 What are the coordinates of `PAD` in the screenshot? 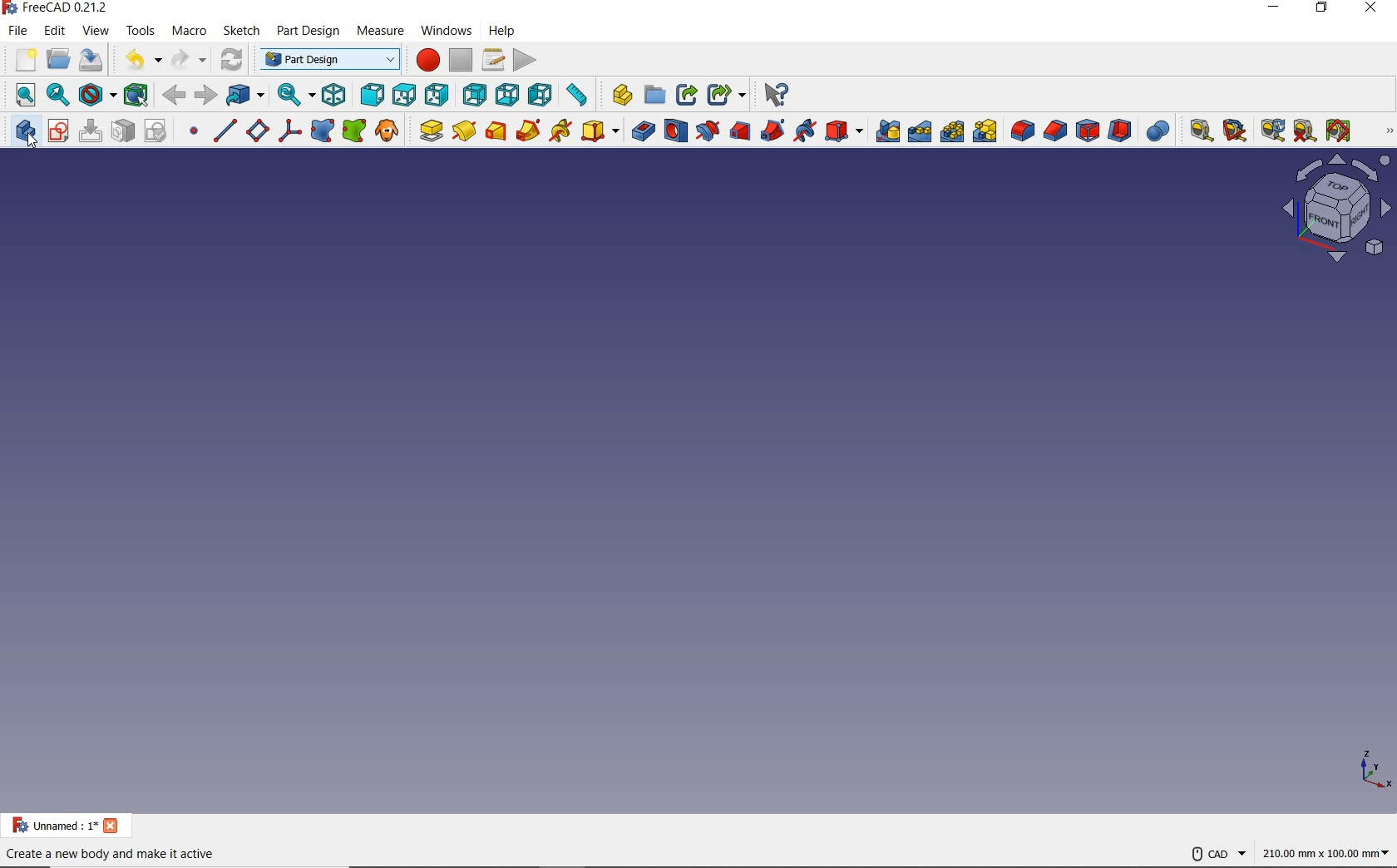 It's located at (427, 131).